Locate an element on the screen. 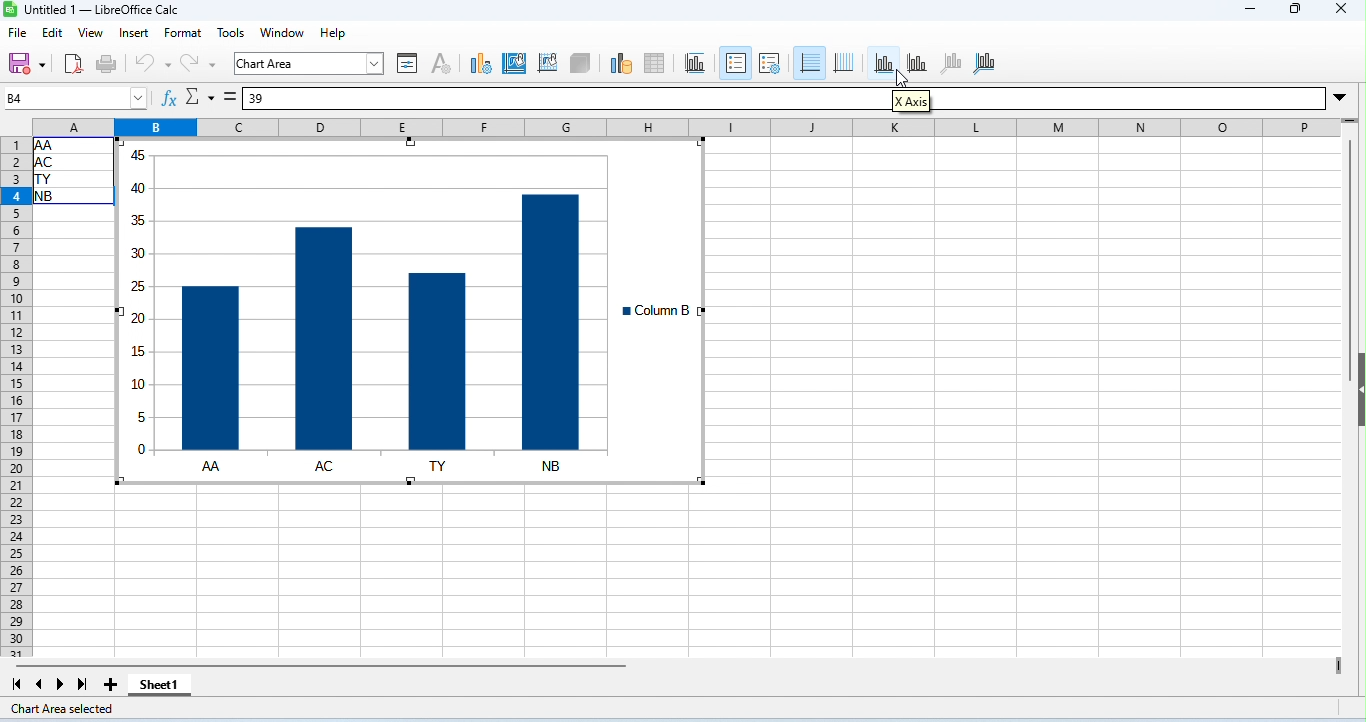  function wizard is located at coordinates (171, 98).